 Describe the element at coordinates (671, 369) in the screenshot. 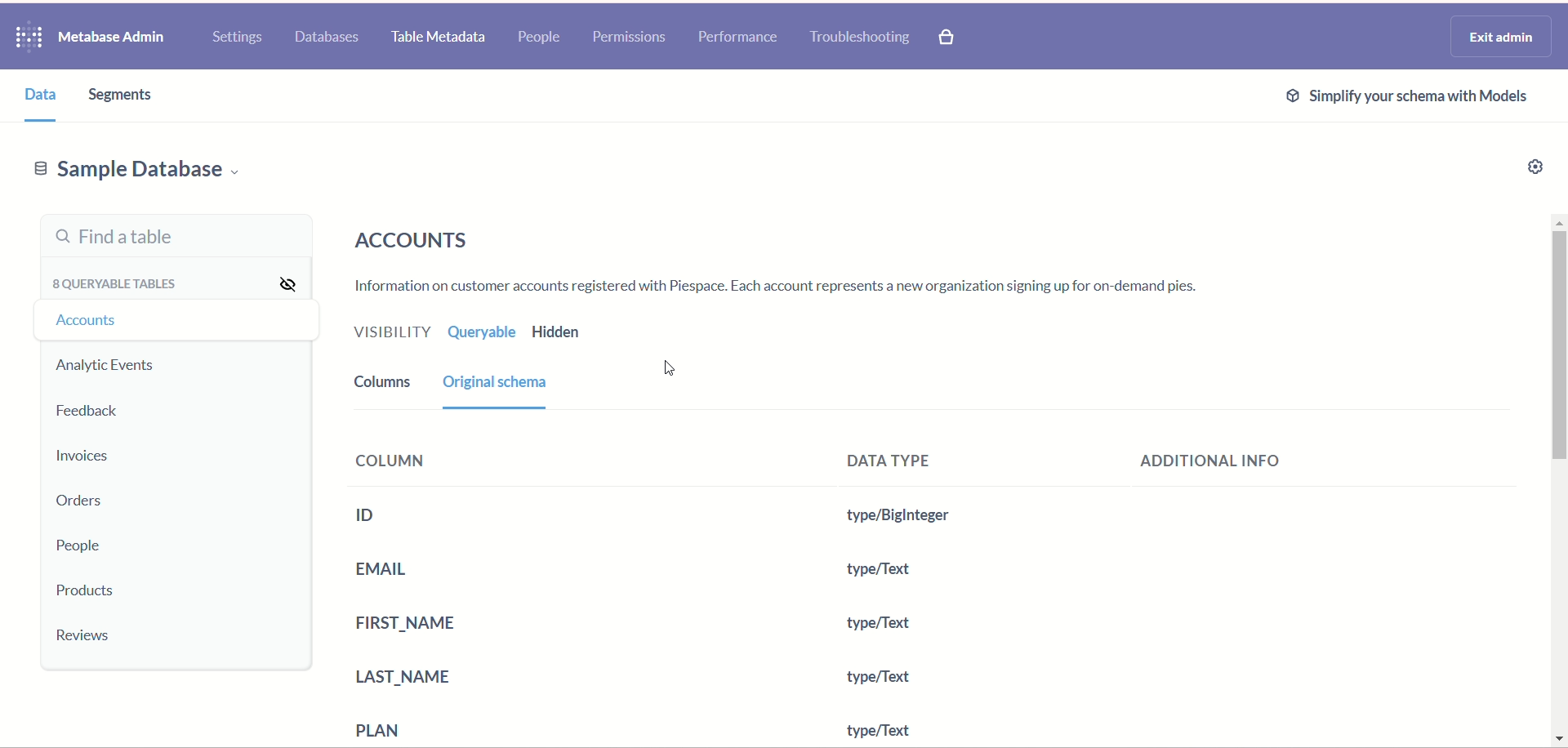

I see `cursor` at that location.